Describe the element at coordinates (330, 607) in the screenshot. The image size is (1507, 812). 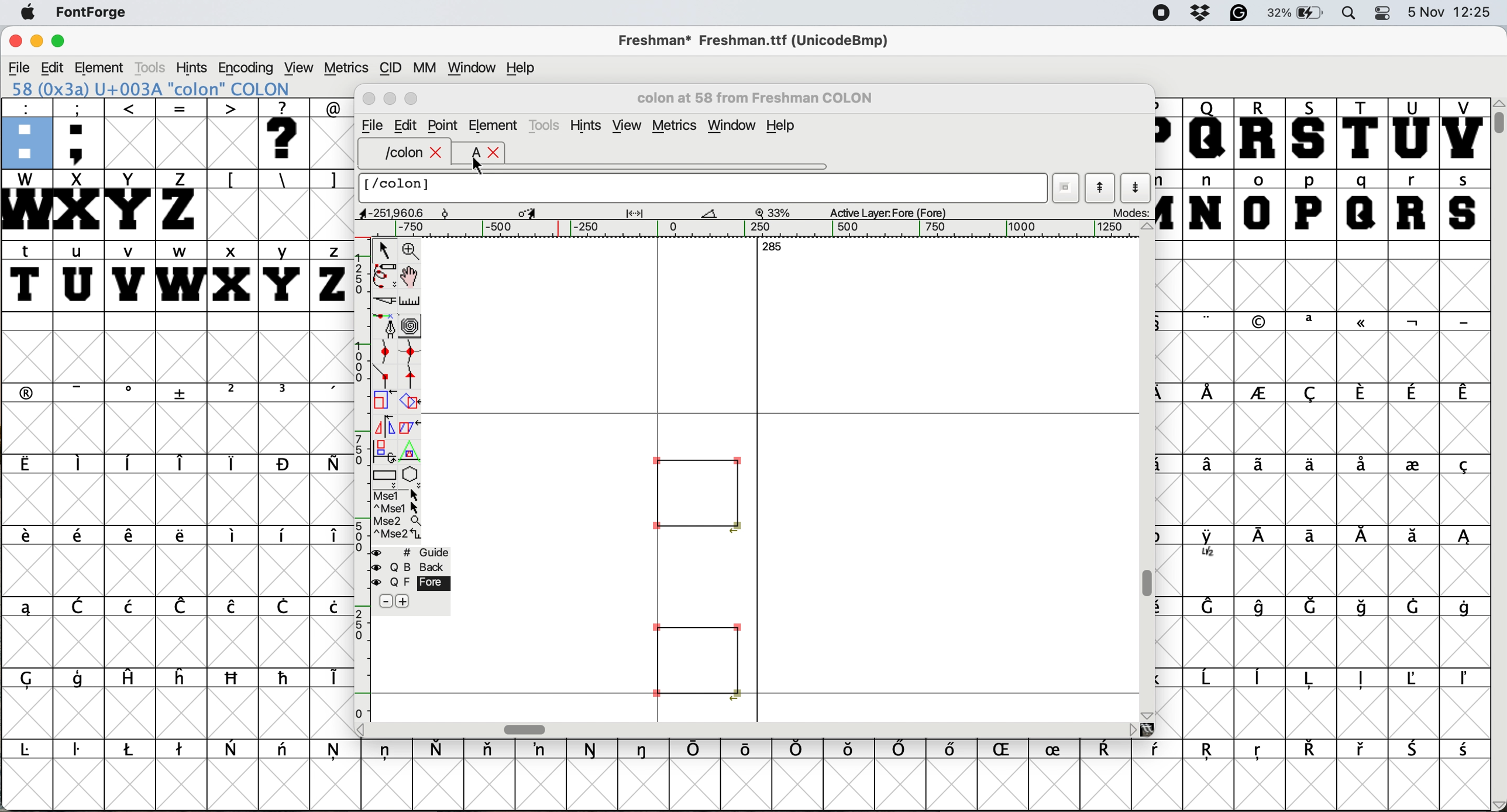
I see `symbol` at that location.